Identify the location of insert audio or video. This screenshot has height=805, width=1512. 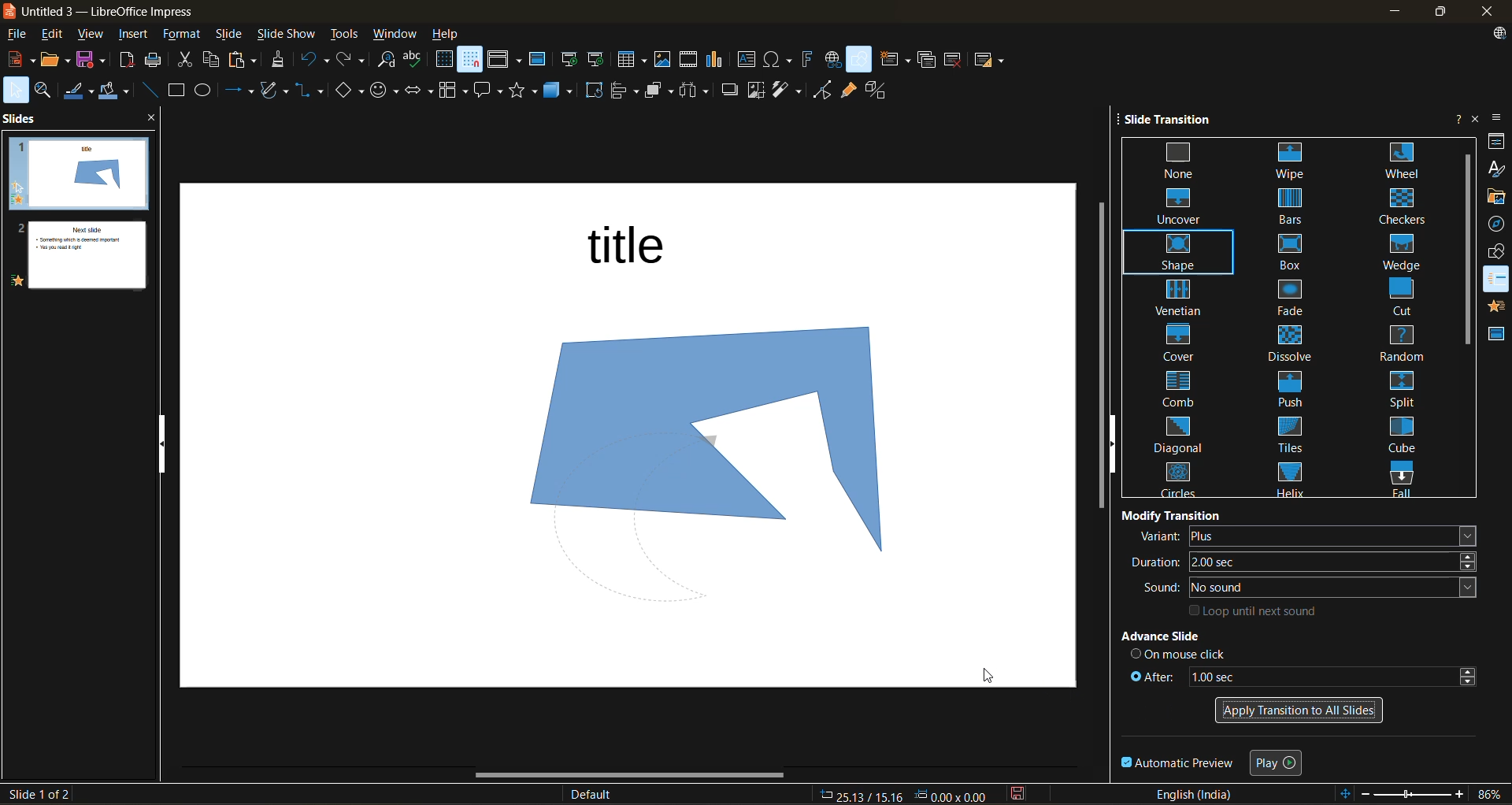
(691, 63).